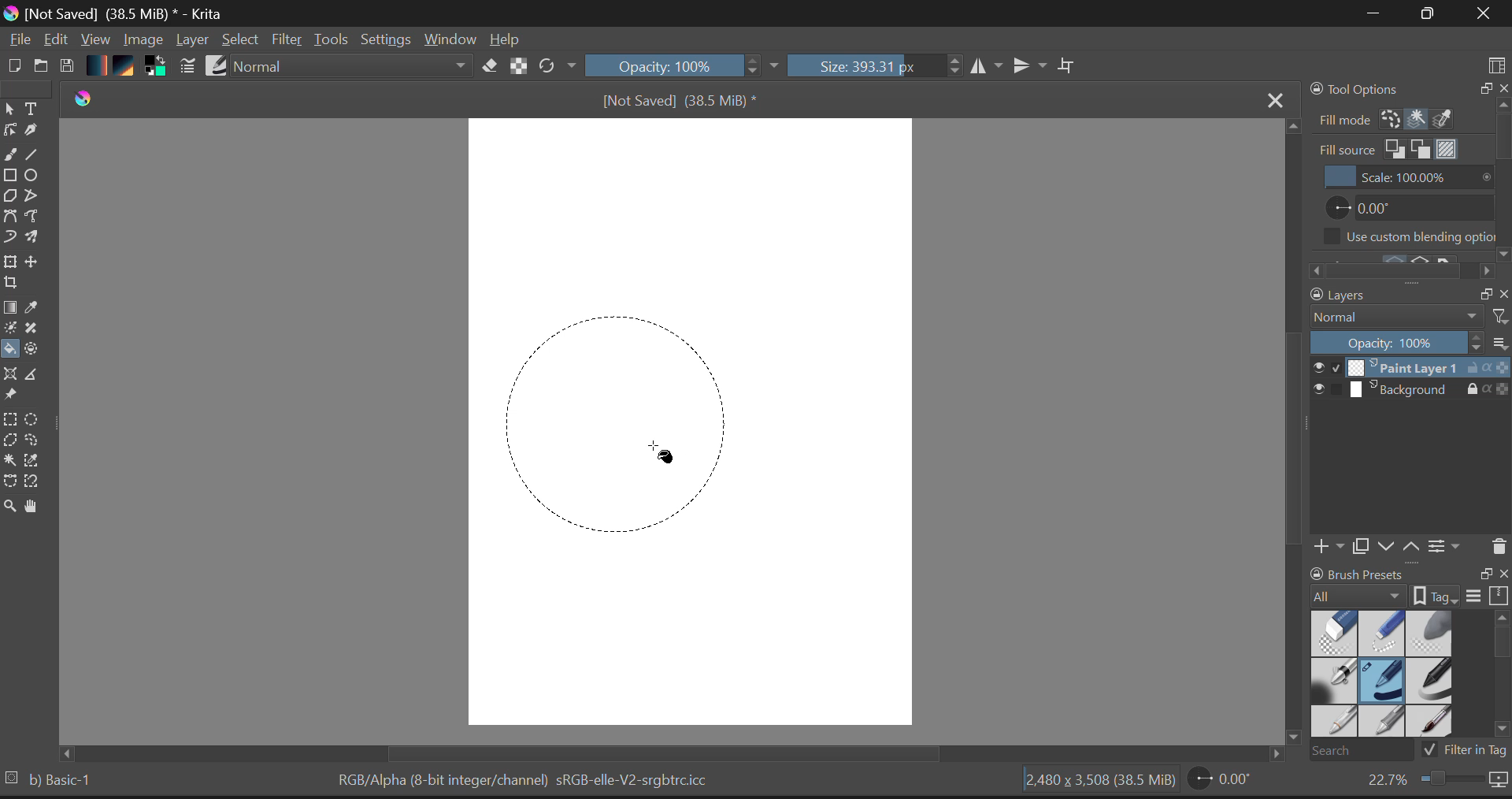 Image resolution: width=1512 pixels, height=799 pixels. I want to click on Page Rotation, so click(1221, 782).